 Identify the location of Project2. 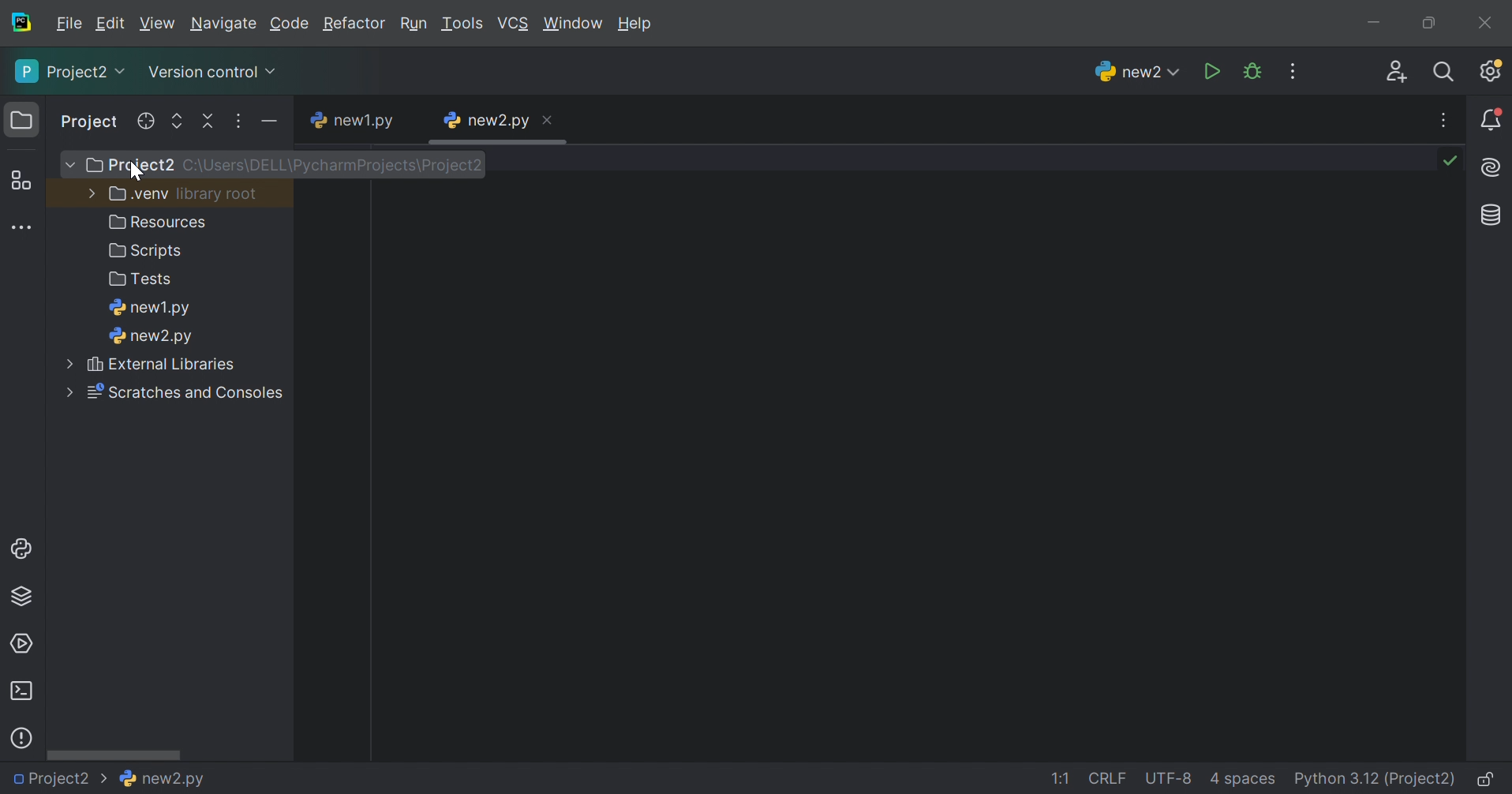
(70, 72).